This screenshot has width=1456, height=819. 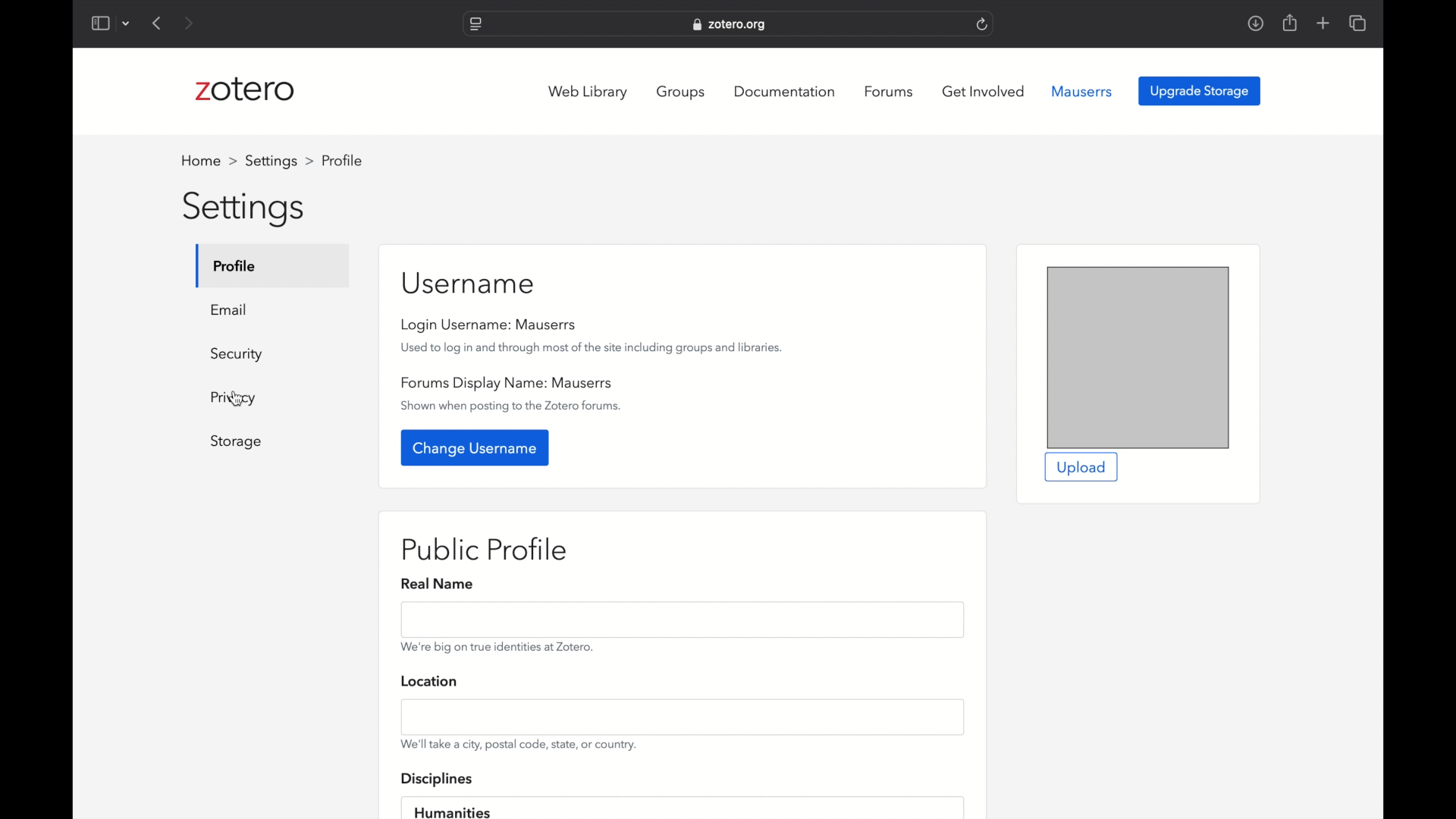 I want to click on mauserrs, so click(x=1084, y=92).